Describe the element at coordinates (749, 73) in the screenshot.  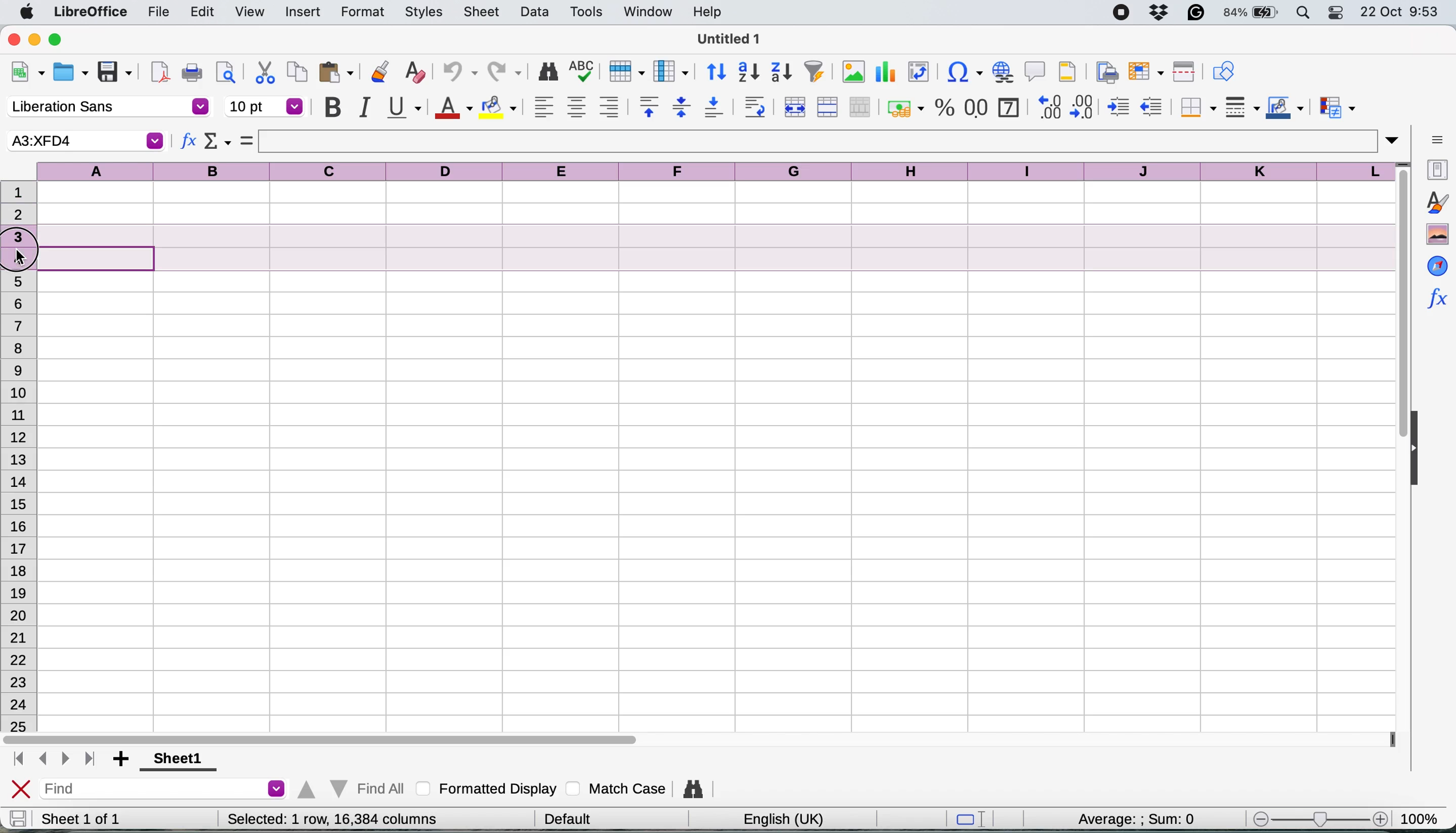
I see `sort ascending` at that location.